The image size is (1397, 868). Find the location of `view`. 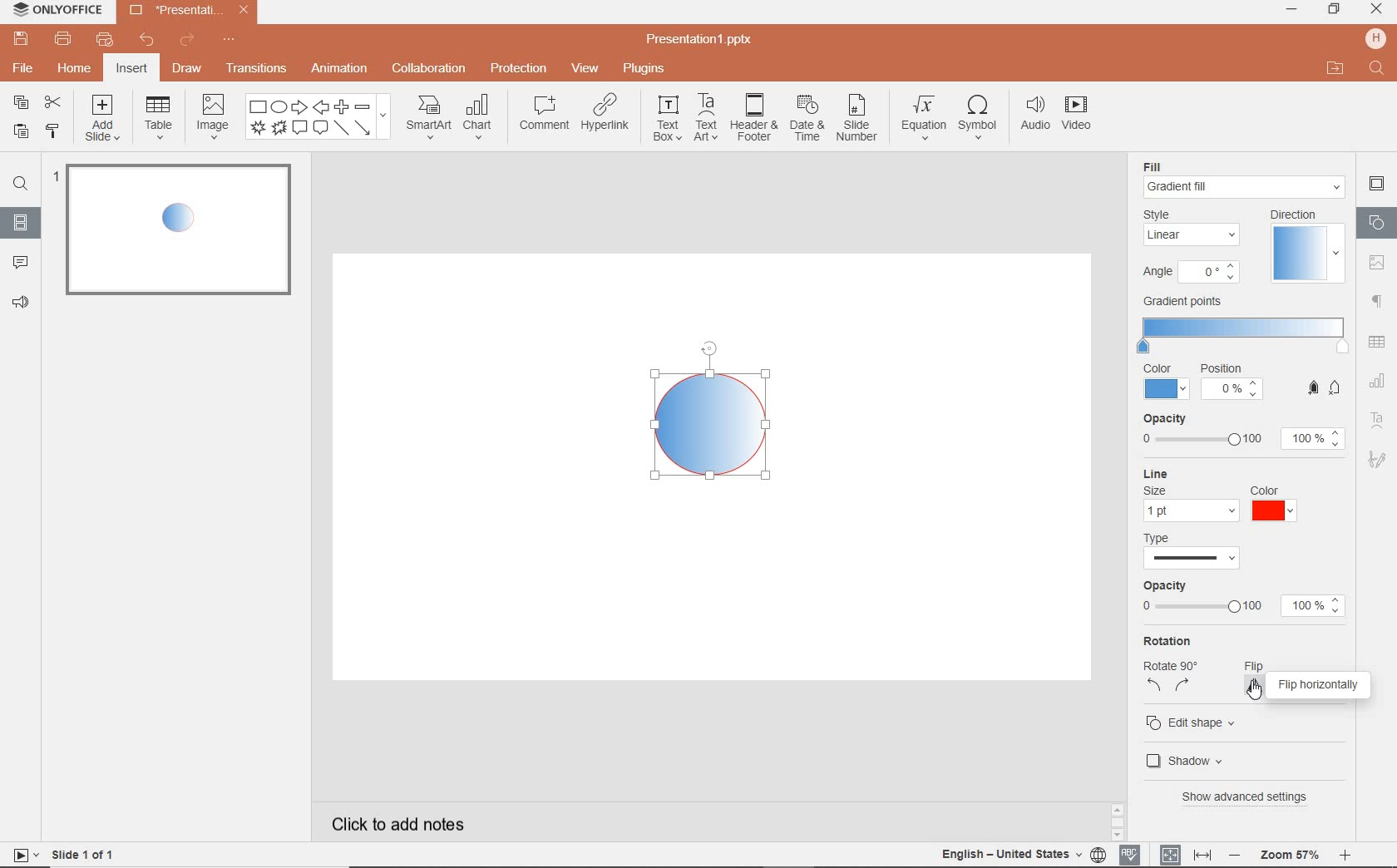

view is located at coordinates (584, 70).